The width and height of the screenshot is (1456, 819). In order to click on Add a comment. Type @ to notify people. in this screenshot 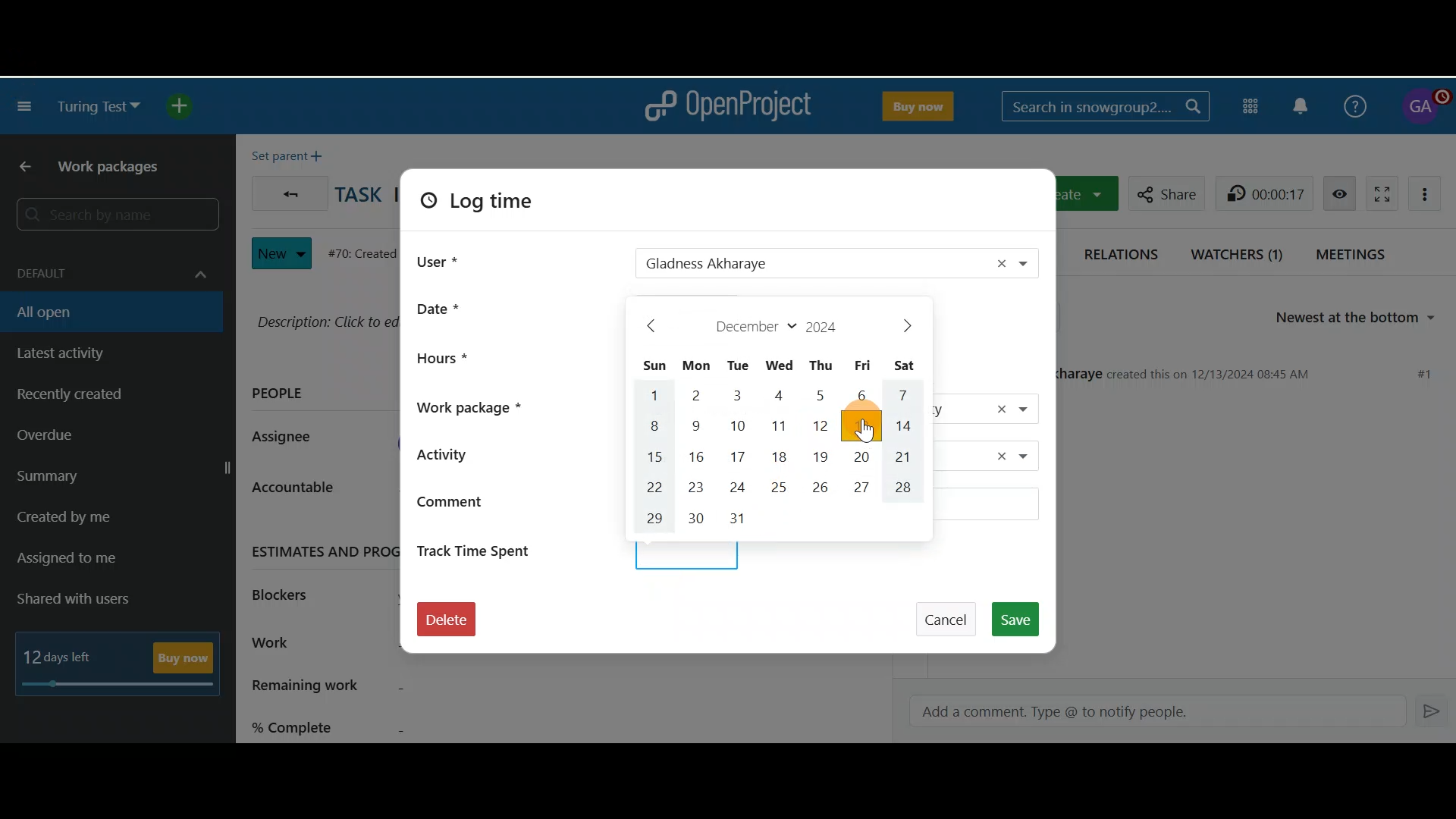, I will do `click(1147, 712)`.